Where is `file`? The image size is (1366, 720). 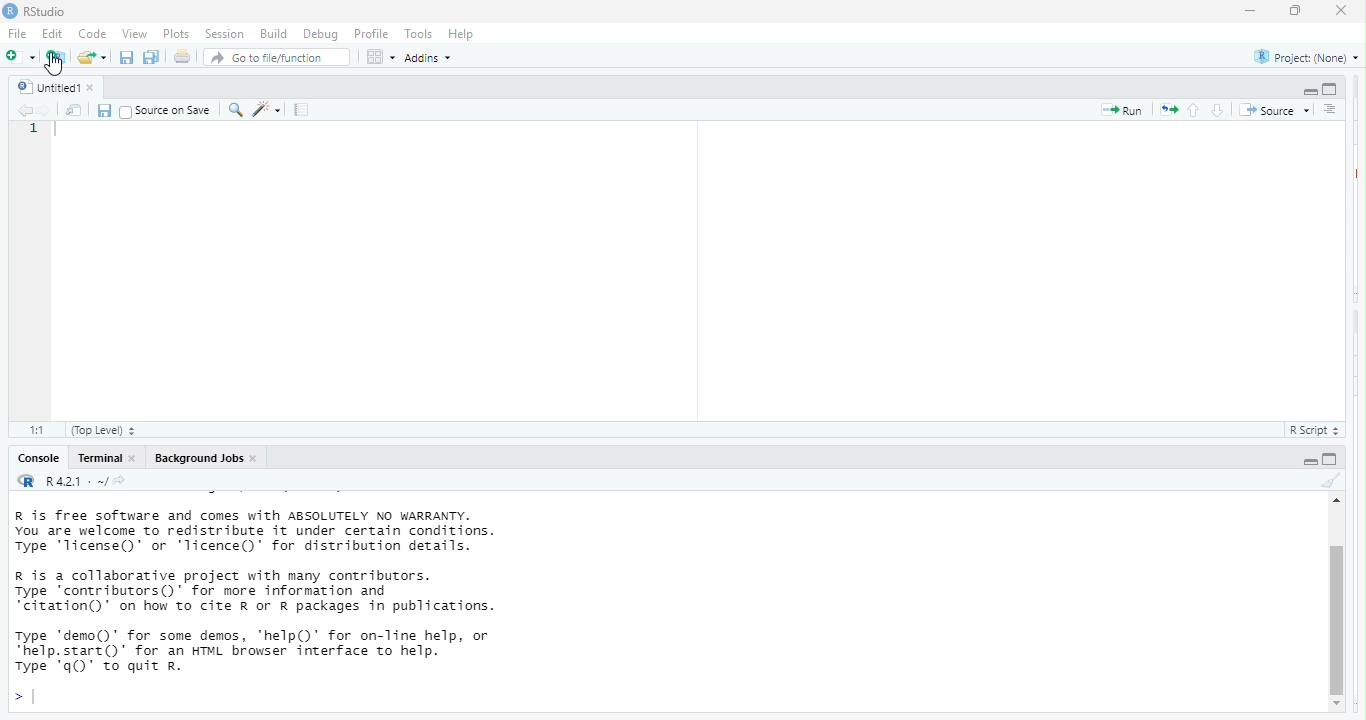 file is located at coordinates (20, 35).